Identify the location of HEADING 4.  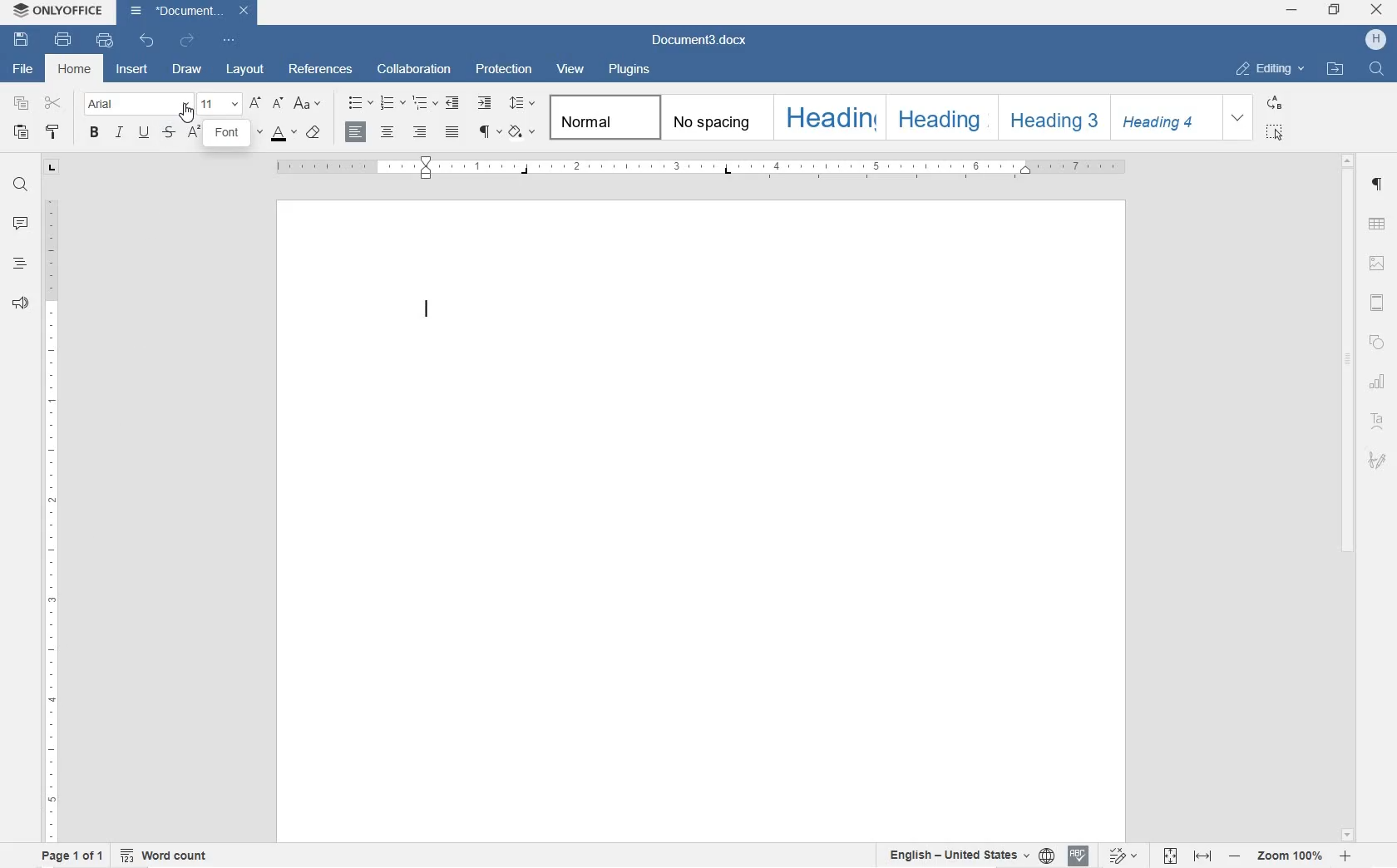
(1163, 116).